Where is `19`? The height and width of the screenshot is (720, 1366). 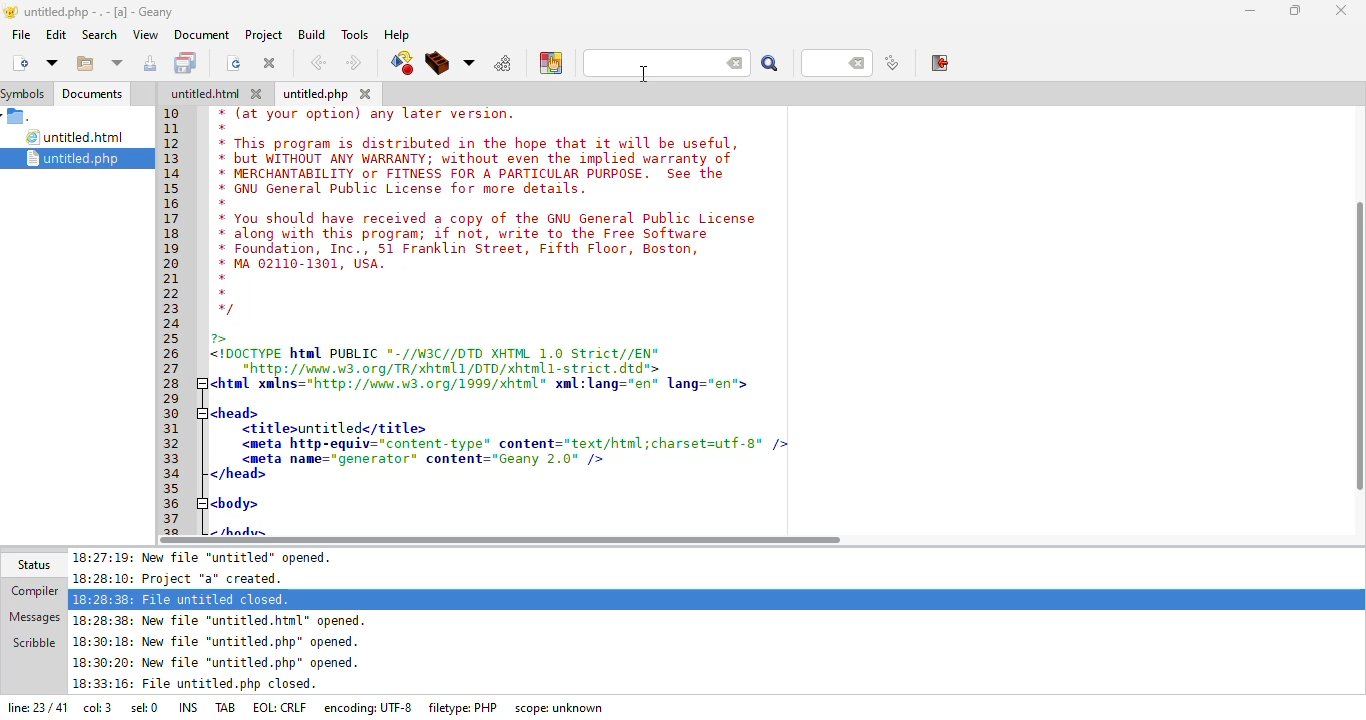 19 is located at coordinates (174, 247).